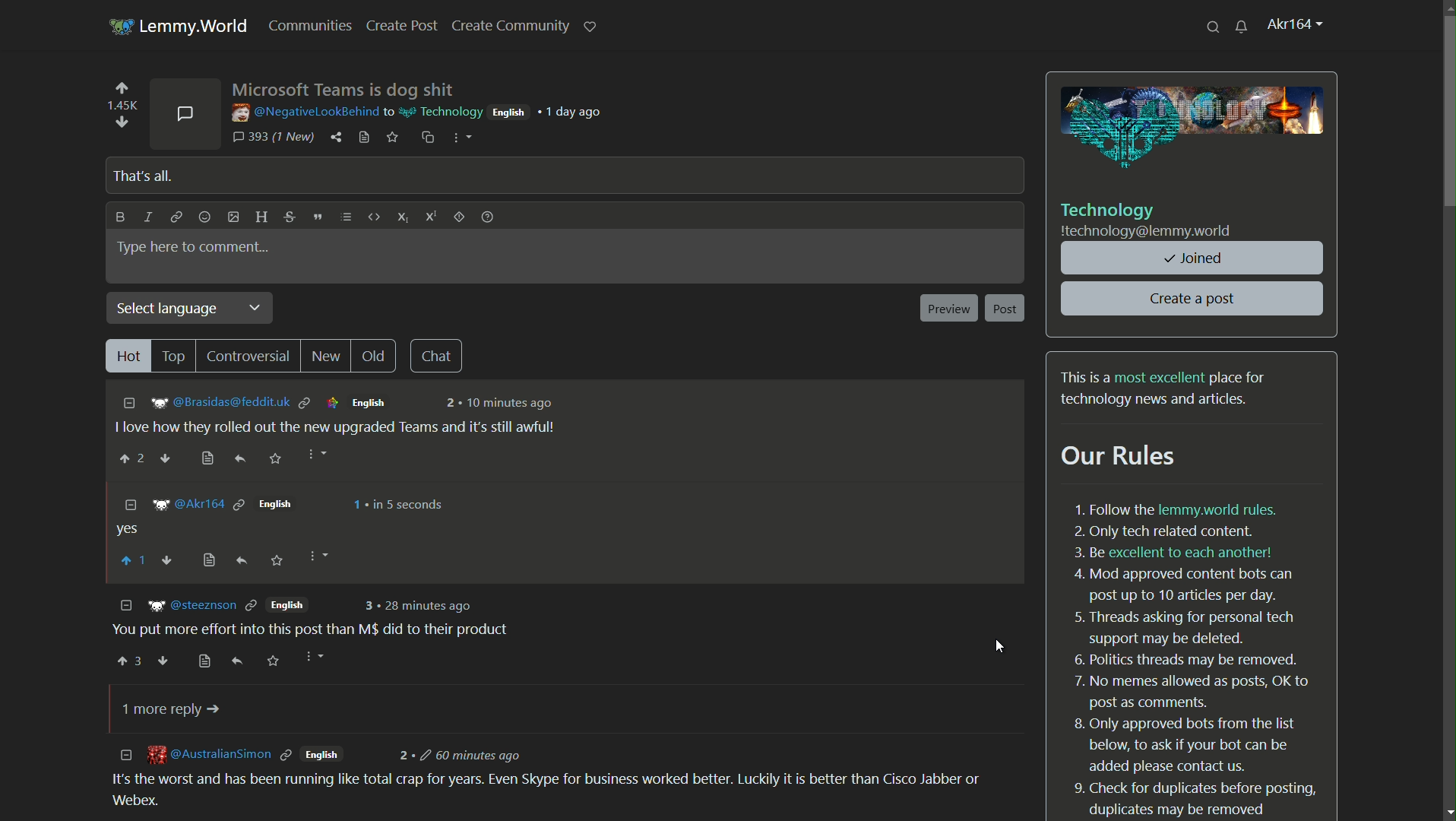 This screenshot has width=1456, height=821. Describe the element at coordinates (347, 414) in the screenshot. I see `comment-1` at that location.